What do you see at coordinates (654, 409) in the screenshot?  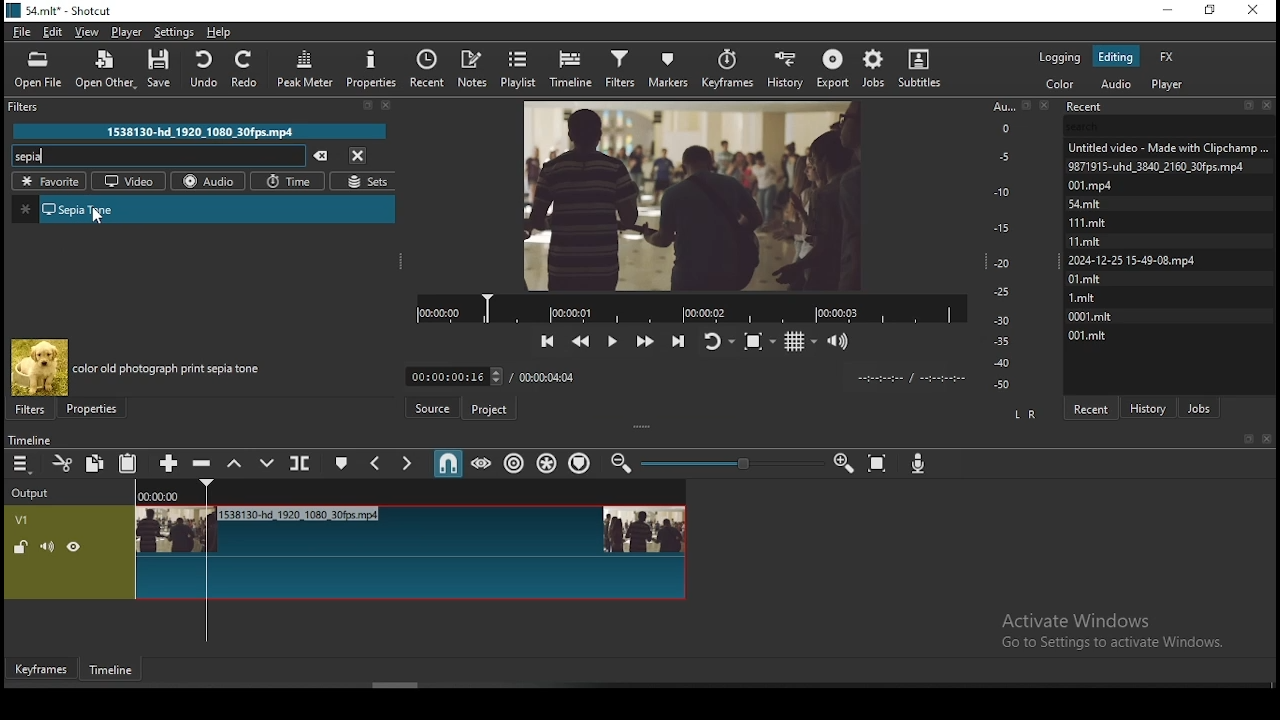 I see `Click here to check for a new version of Shotcut.` at bounding box center [654, 409].